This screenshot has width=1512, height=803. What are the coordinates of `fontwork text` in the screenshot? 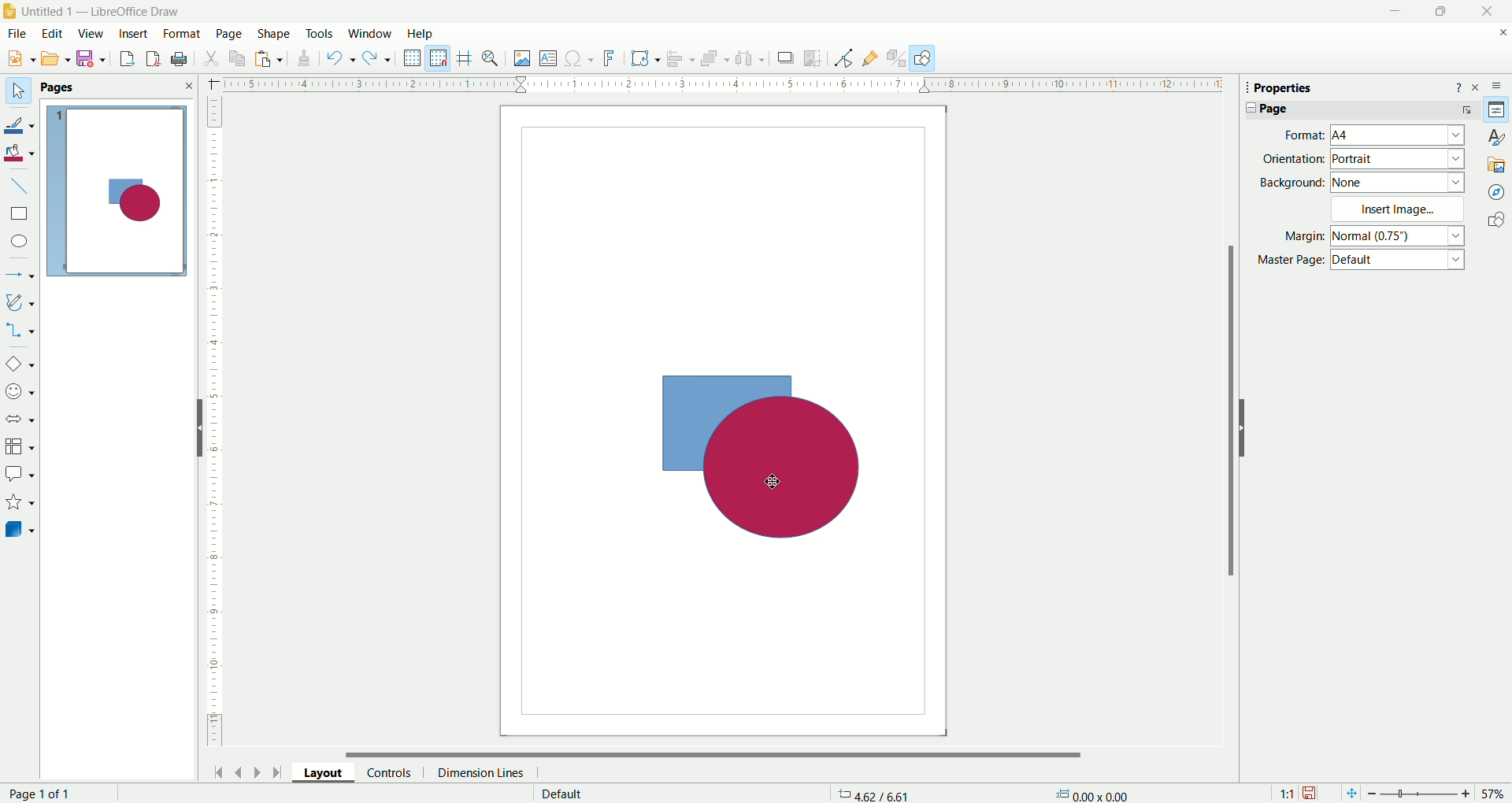 It's located at (610, 59).